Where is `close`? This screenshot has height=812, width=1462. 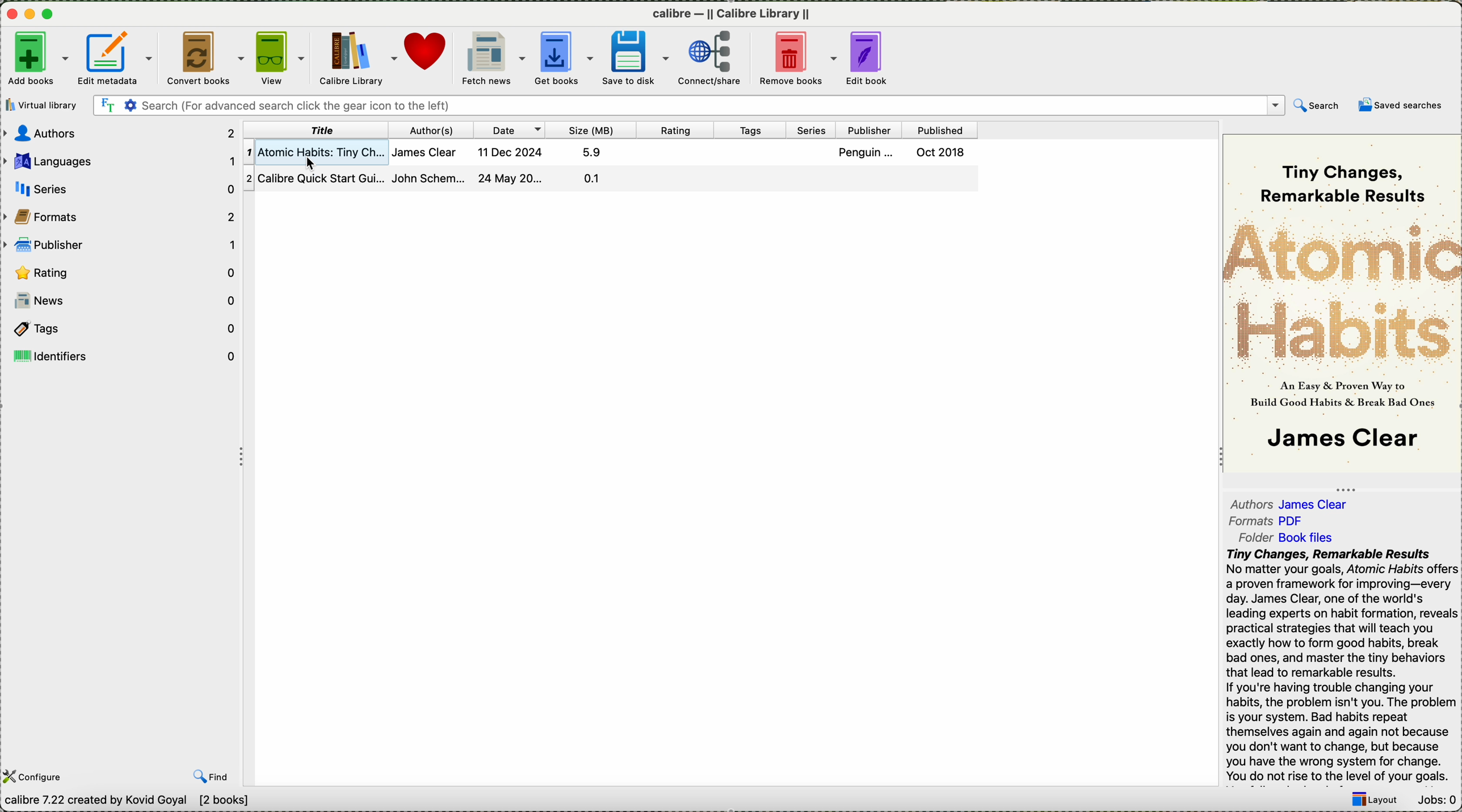
close is located at coordinates (14, 15).